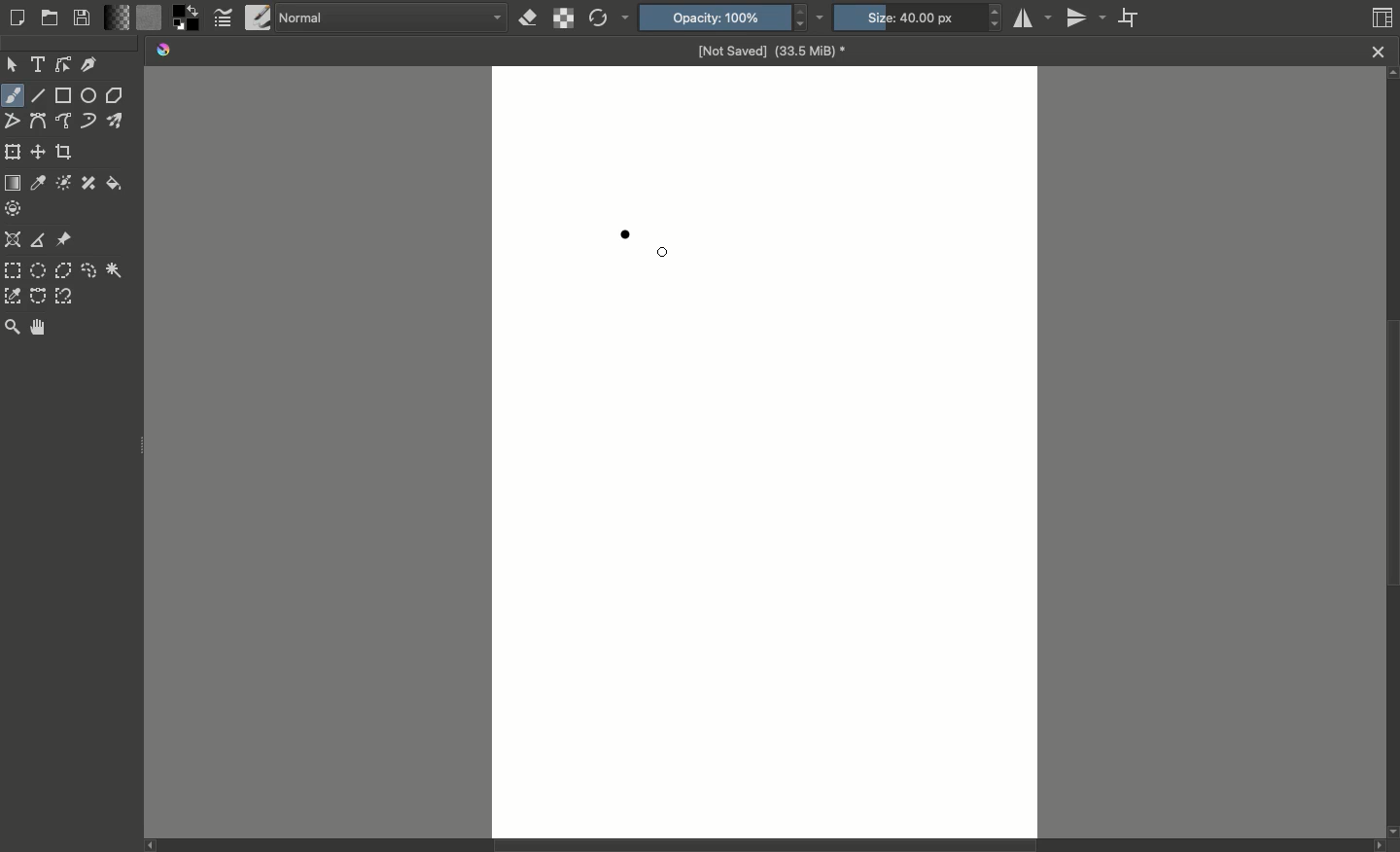 This screenshot has width=1400, height=852. Describe the element at coordinates (1391, 76) in the screenshot. I see `scroll up` at that location.